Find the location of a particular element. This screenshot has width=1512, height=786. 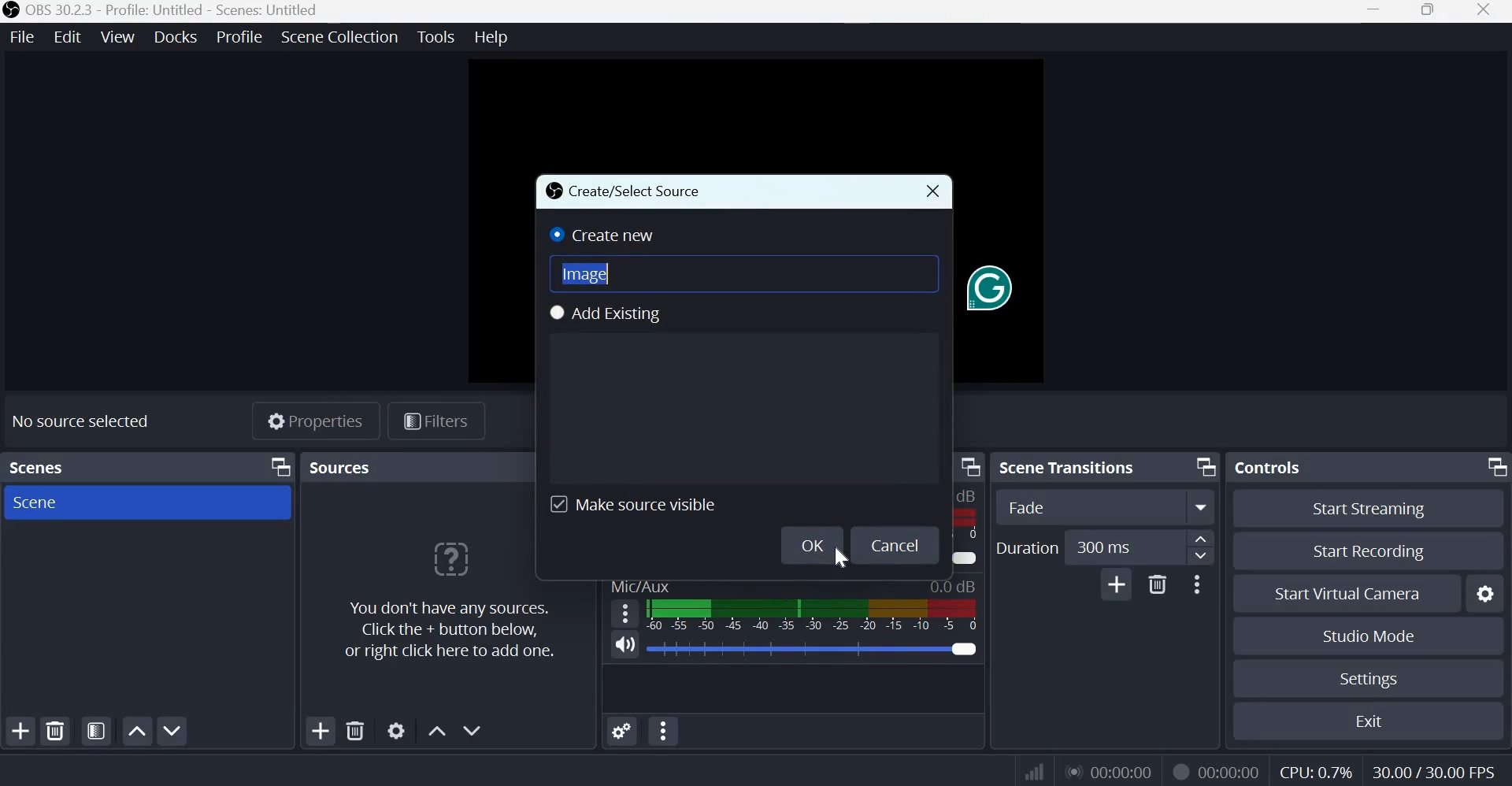

Ok is located at coordinates (813, 543).